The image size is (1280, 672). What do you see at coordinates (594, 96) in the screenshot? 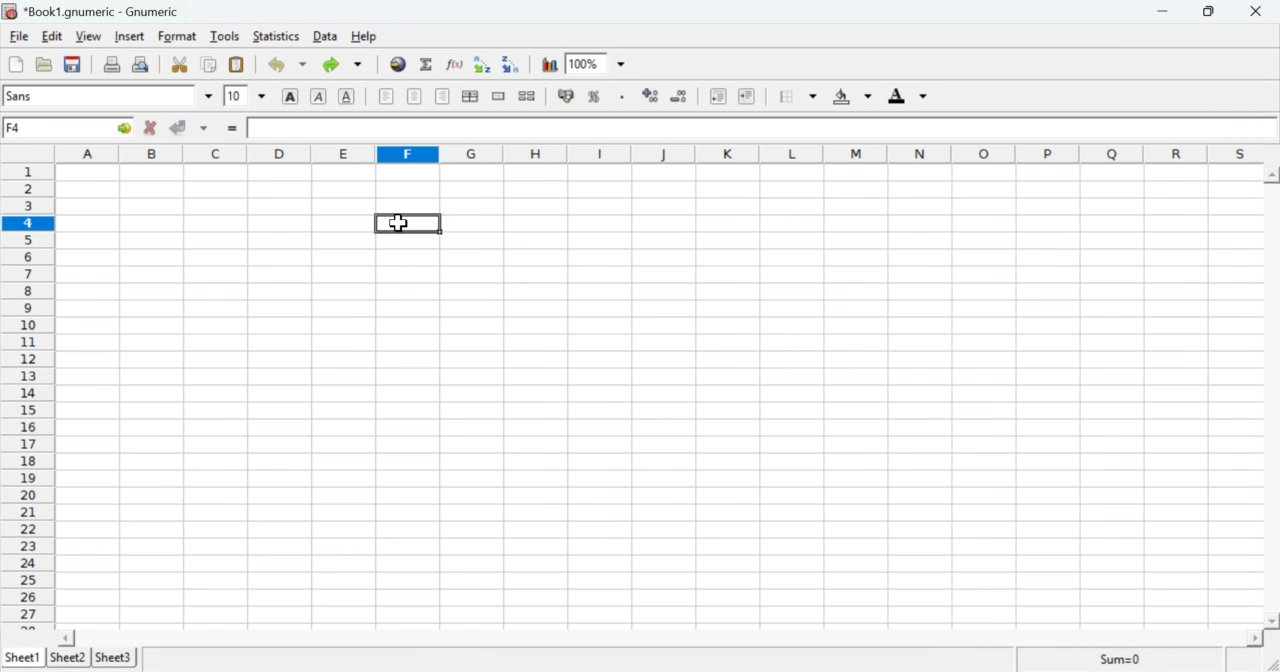
I see `Format the selection as percentage` at bounding box center [594, 96].